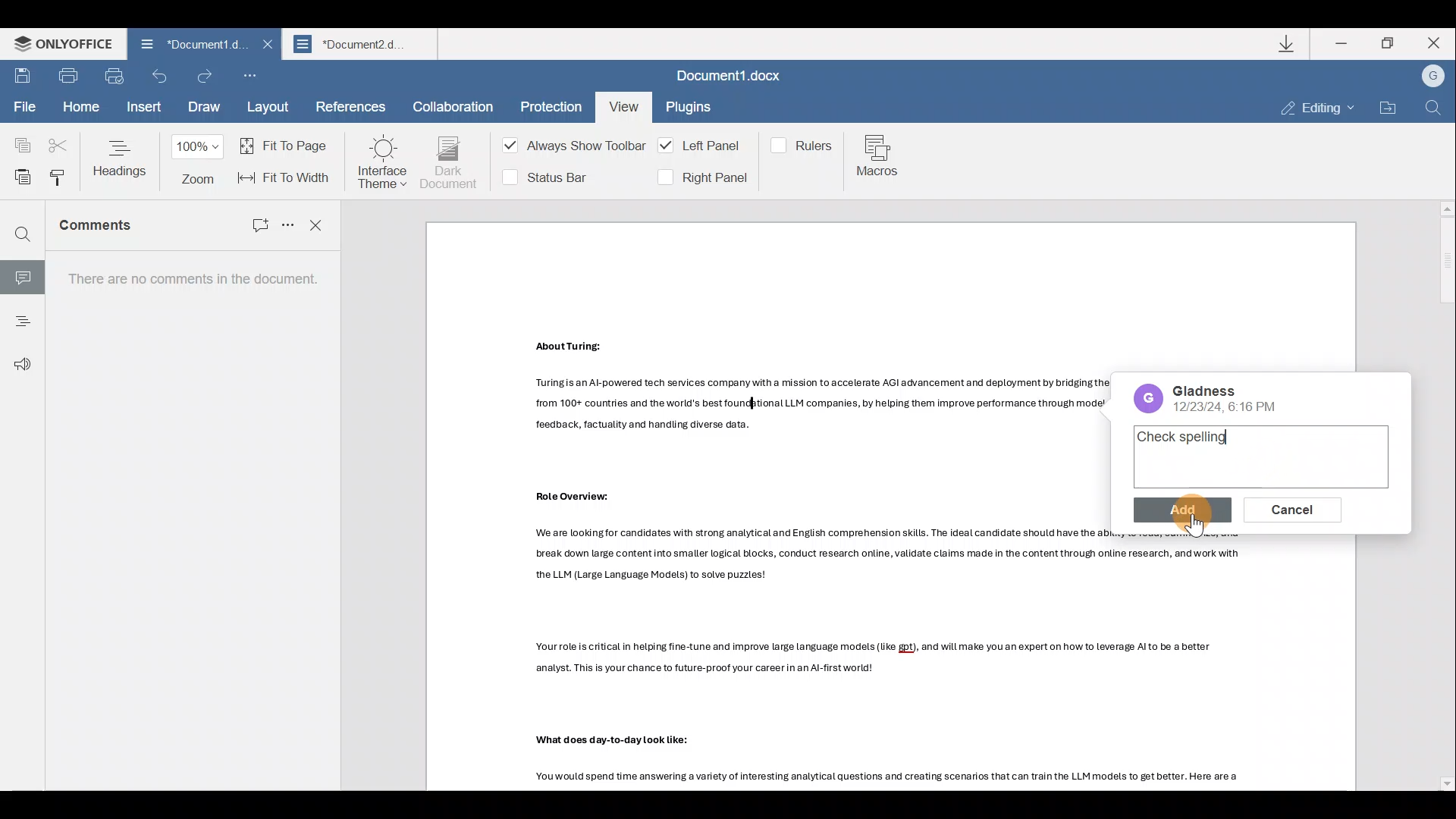  What do you see at coordinates (1225, 398) in the screenshot?
I see `Date/time of comment` at bounding box center [1225, 398].